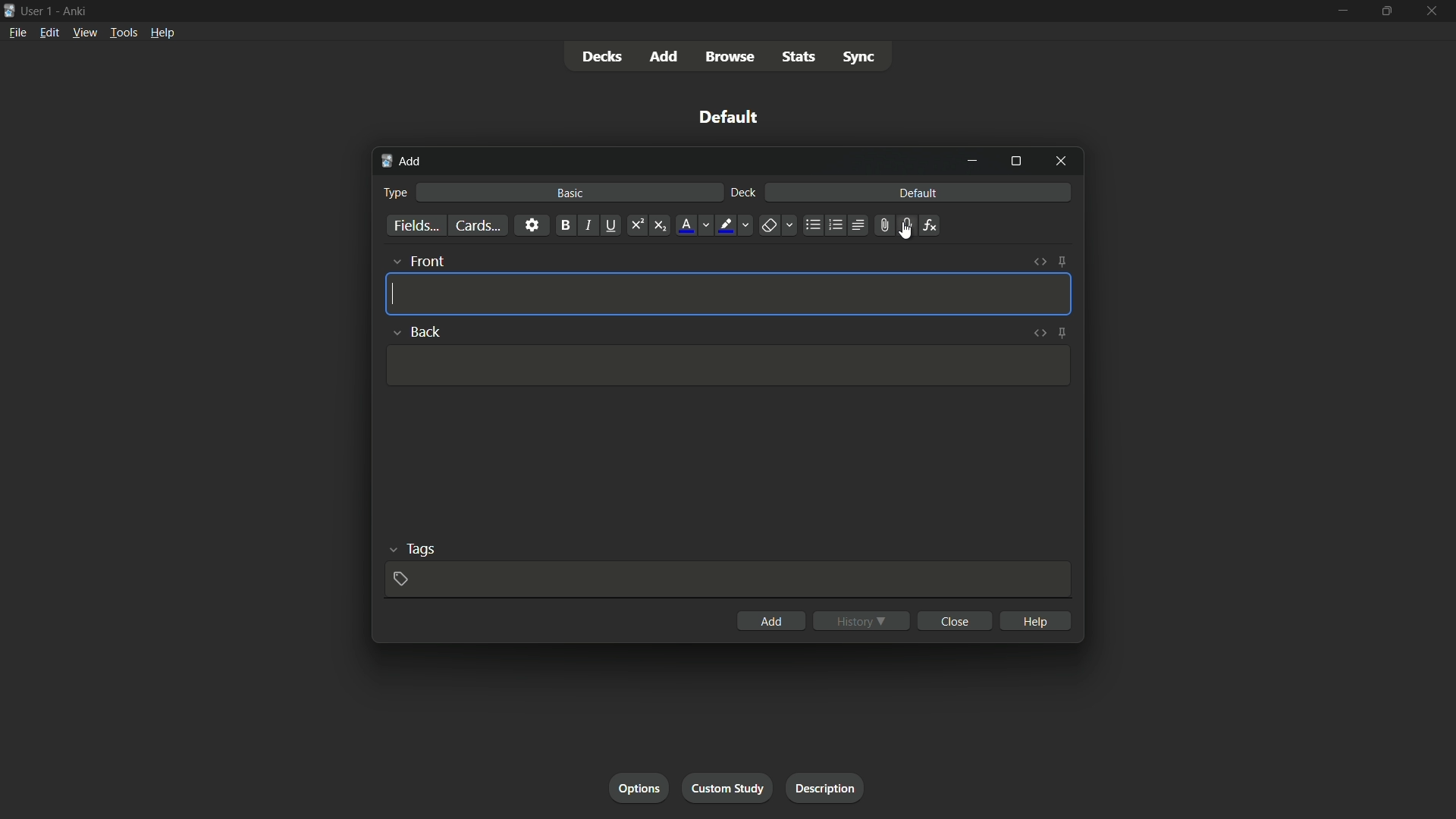 This screenshot has height=819, width=1456. Describe the element at coordinates (1015, 162) in the screenshot. I see `maximize` at that location.